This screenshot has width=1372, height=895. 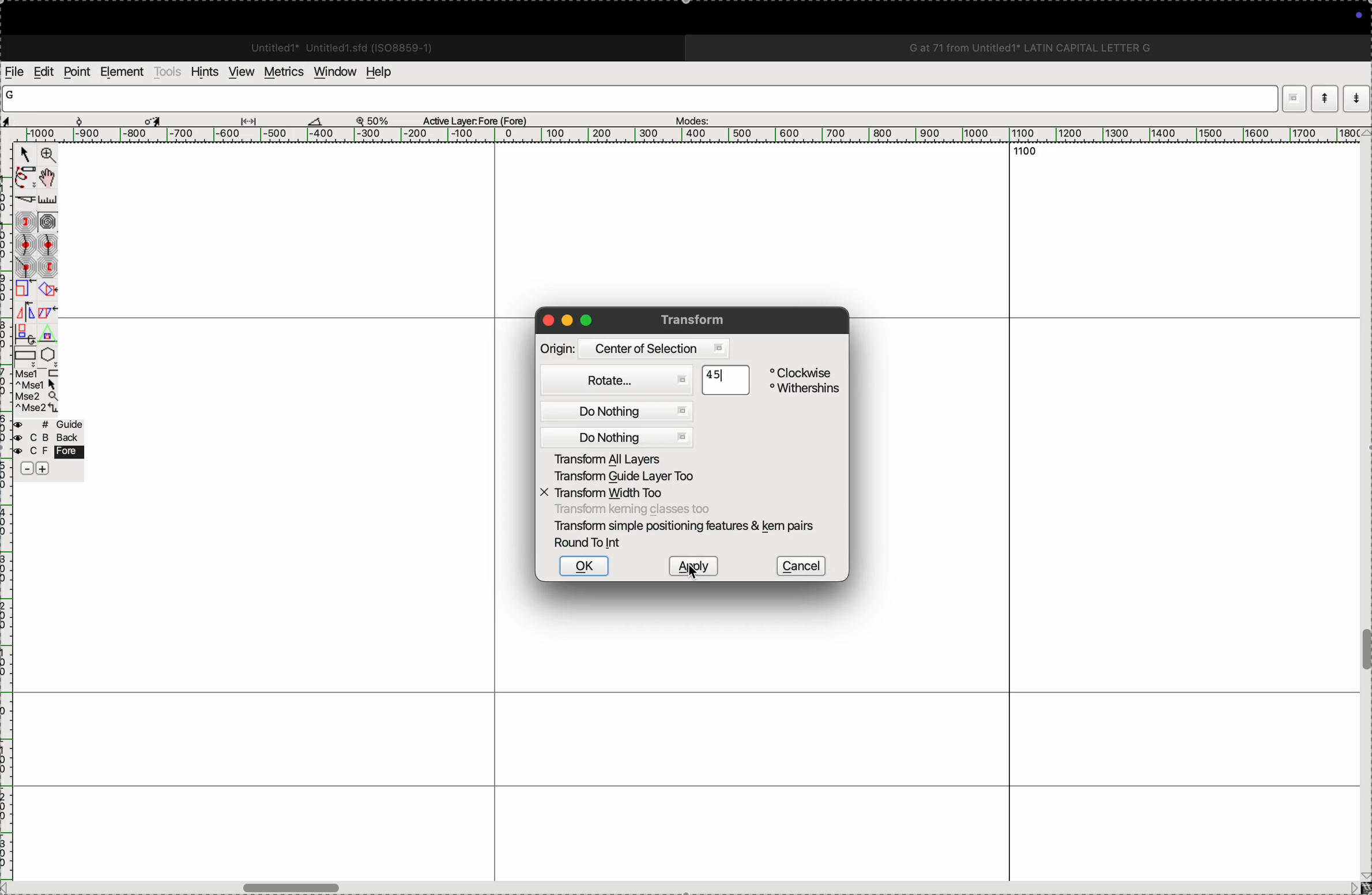 I want to click on perspective, so click(x=47, y=334).